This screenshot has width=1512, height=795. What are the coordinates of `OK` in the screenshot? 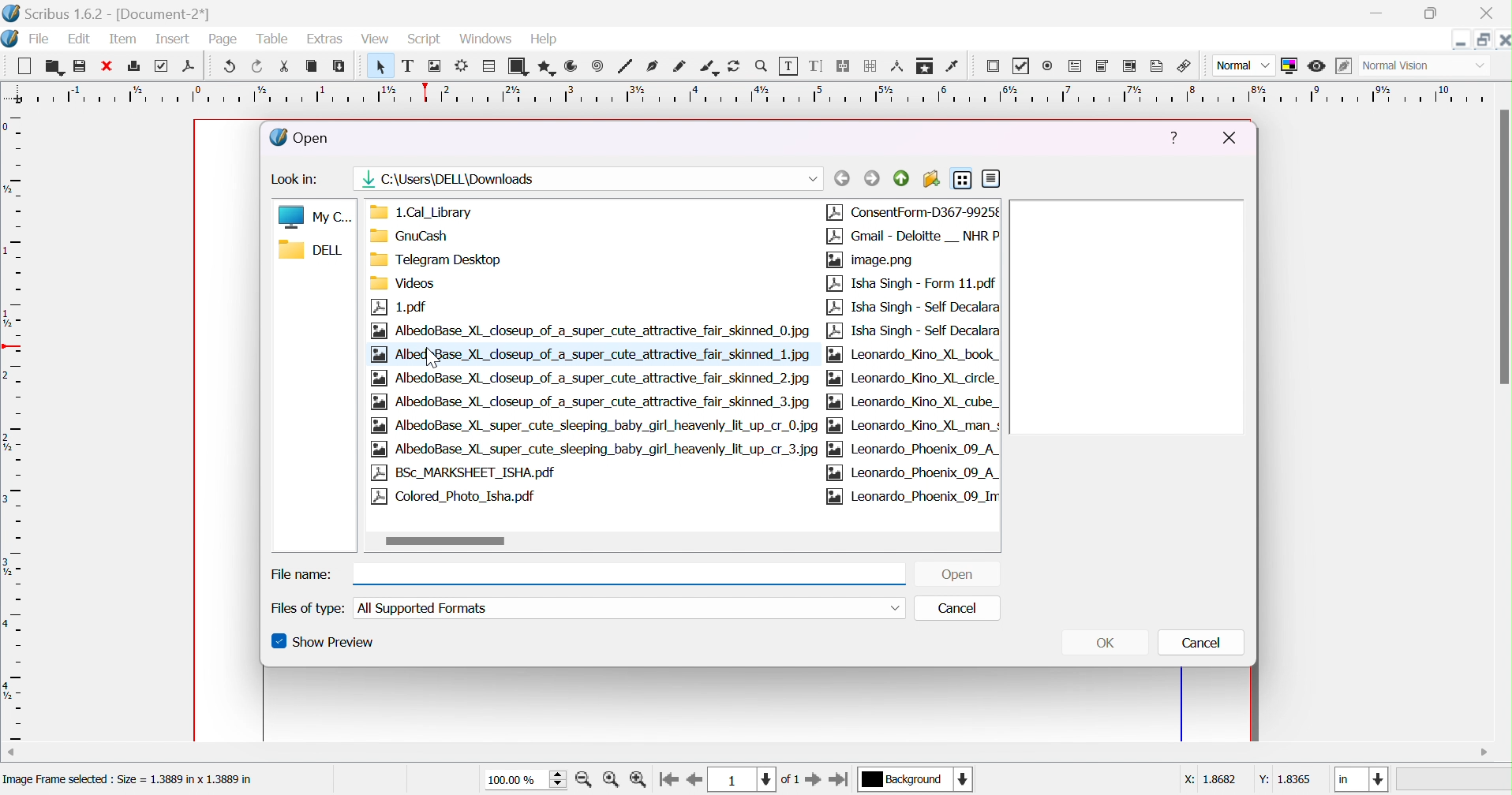 It's located at (1110, 642).